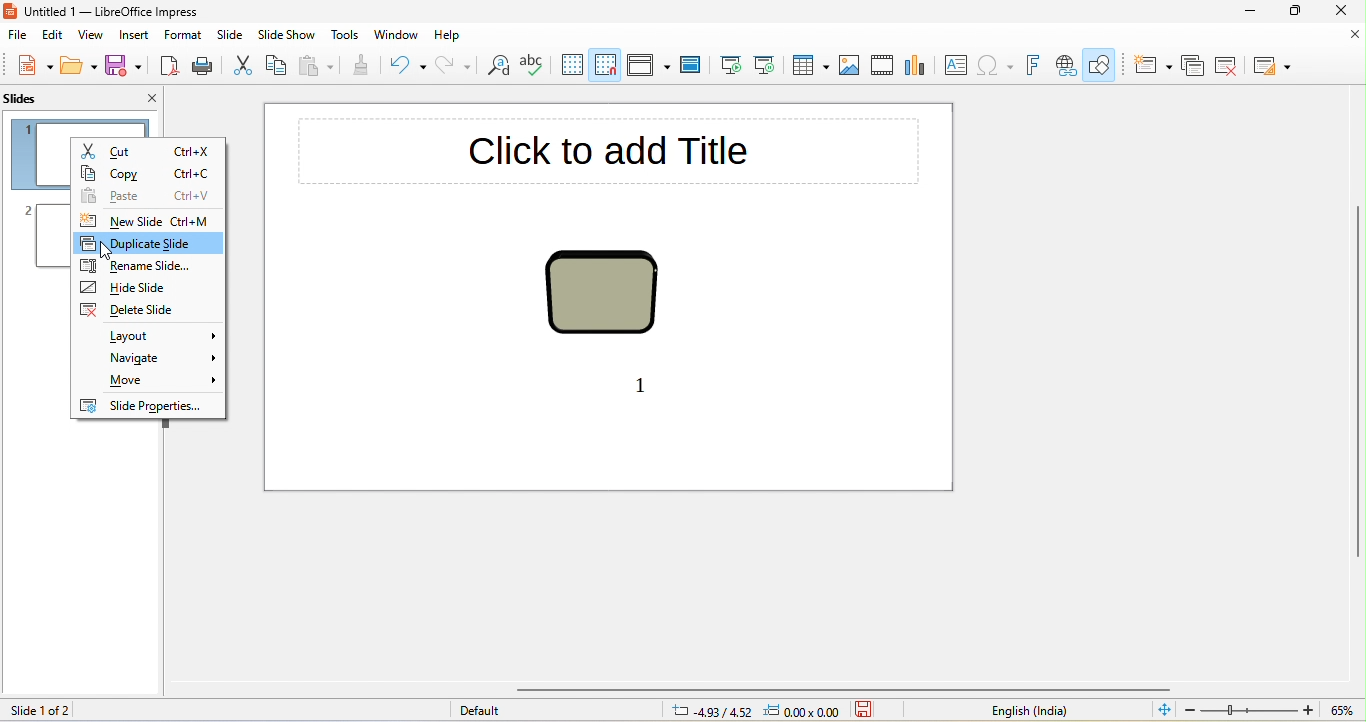 This screenshot has height=722, width=1366. Describe the element at coordinates (140, 97) in the screenshot. I see `close` at that location.